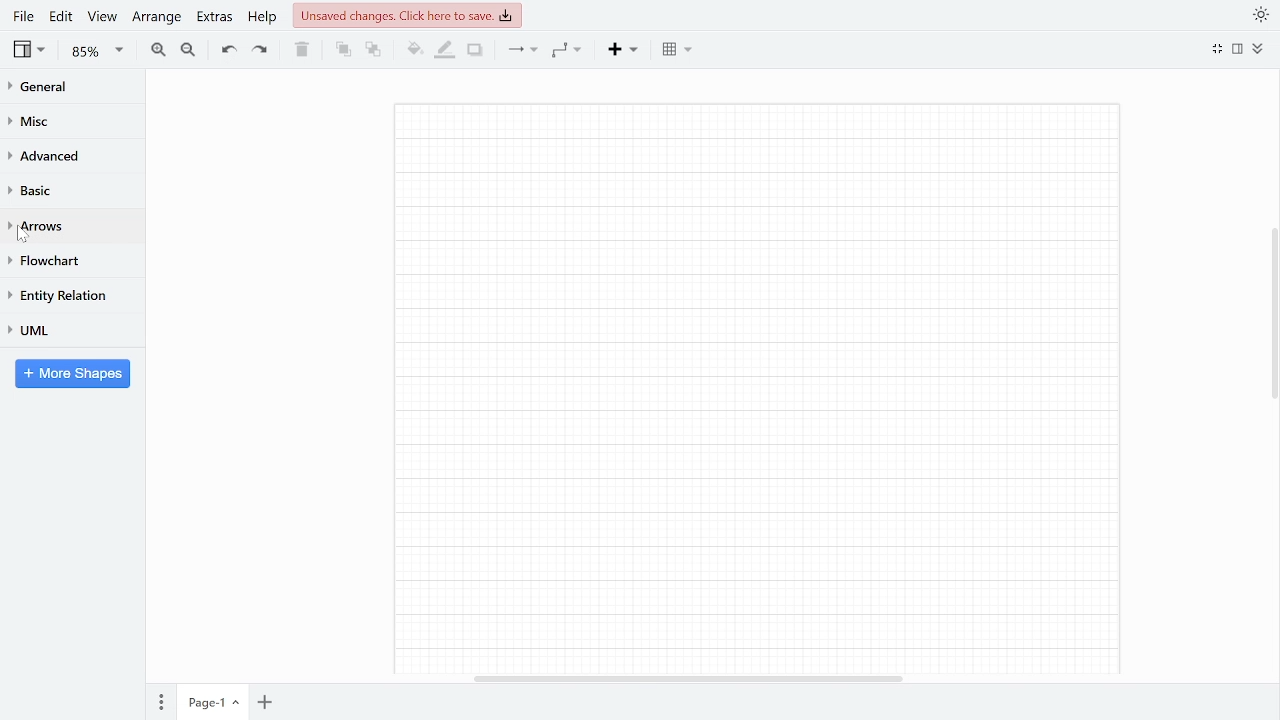 The width and height of the screenshot is (1280, 720). What do you see at coordinates (29, 51) in the screenshot?
I see `View` at bounding box center [29, 51].